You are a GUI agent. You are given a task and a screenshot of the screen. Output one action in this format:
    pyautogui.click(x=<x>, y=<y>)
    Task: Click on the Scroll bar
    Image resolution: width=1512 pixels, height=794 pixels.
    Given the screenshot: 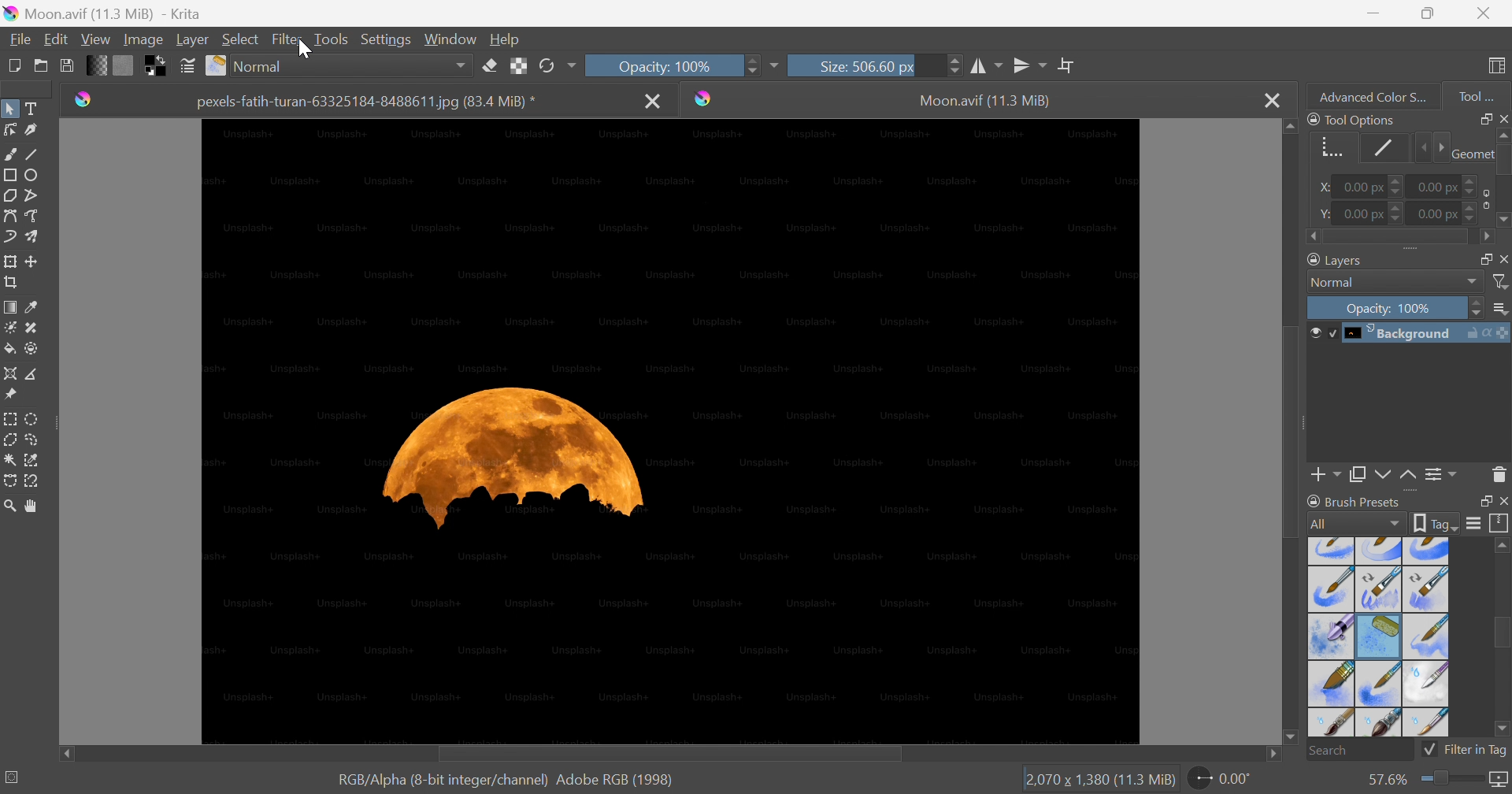 What is the action you would take?
    pyautogui.click(x=1503, y=633)
    